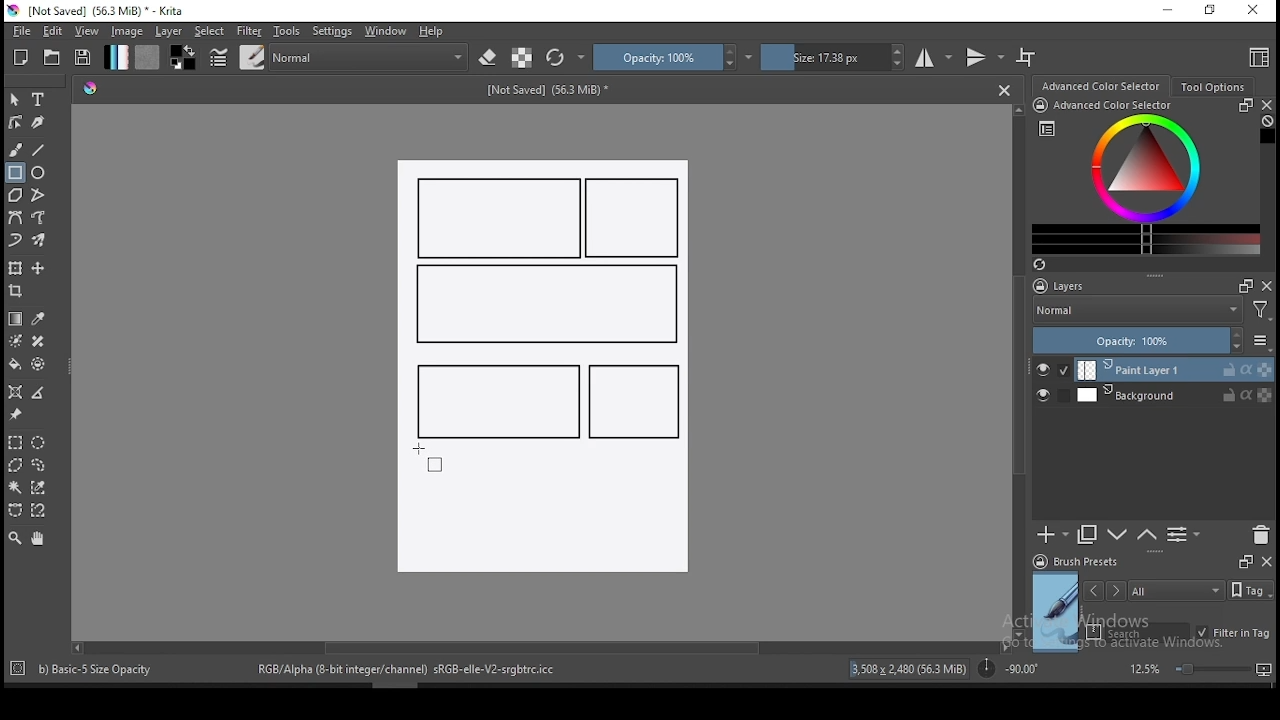  Describe the element at coordinates (39, 150) in the screenshot. I see `line tool` at that location.